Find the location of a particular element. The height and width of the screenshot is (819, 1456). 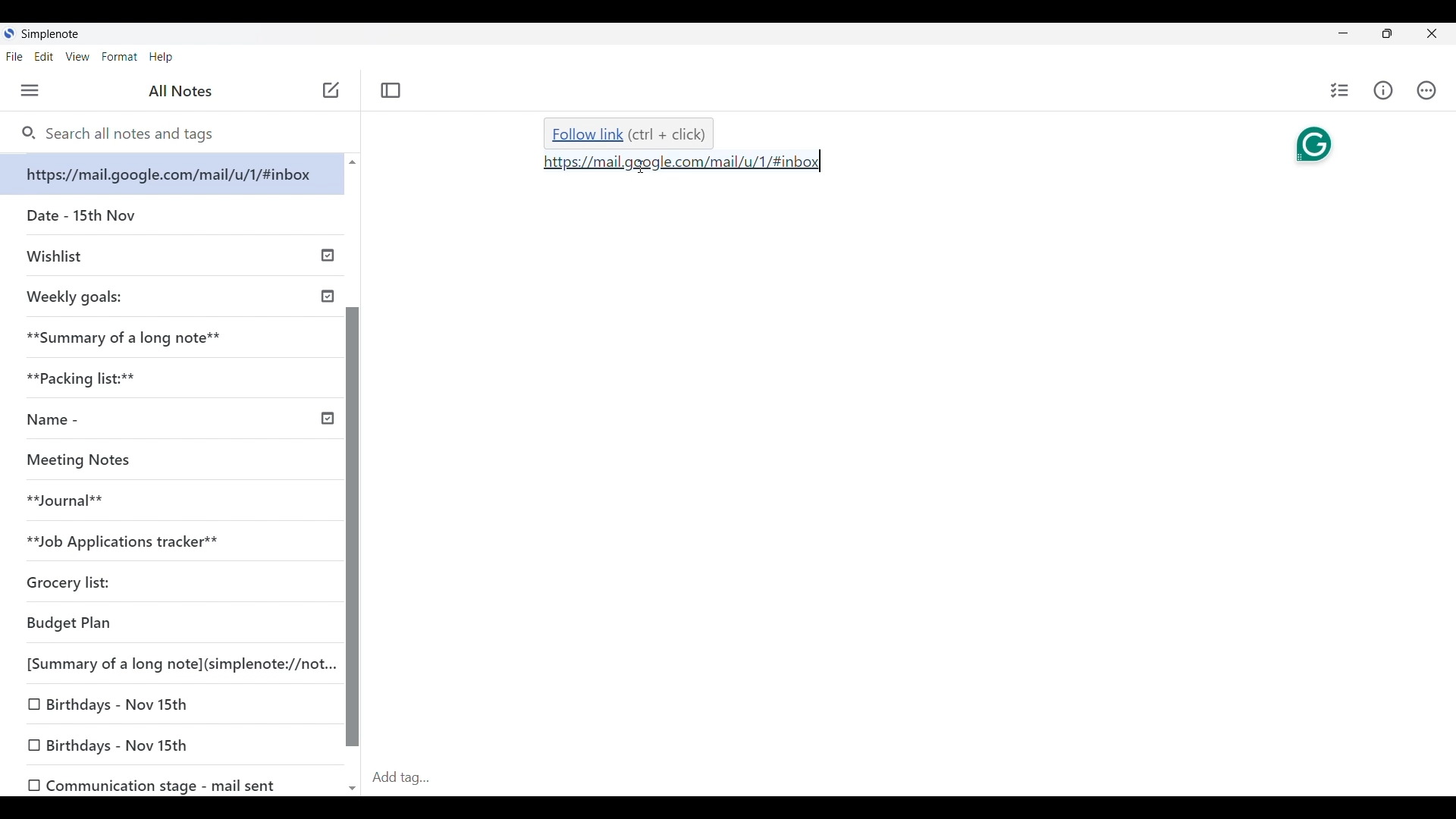

Left panel title is located at coordinates (180, 91).